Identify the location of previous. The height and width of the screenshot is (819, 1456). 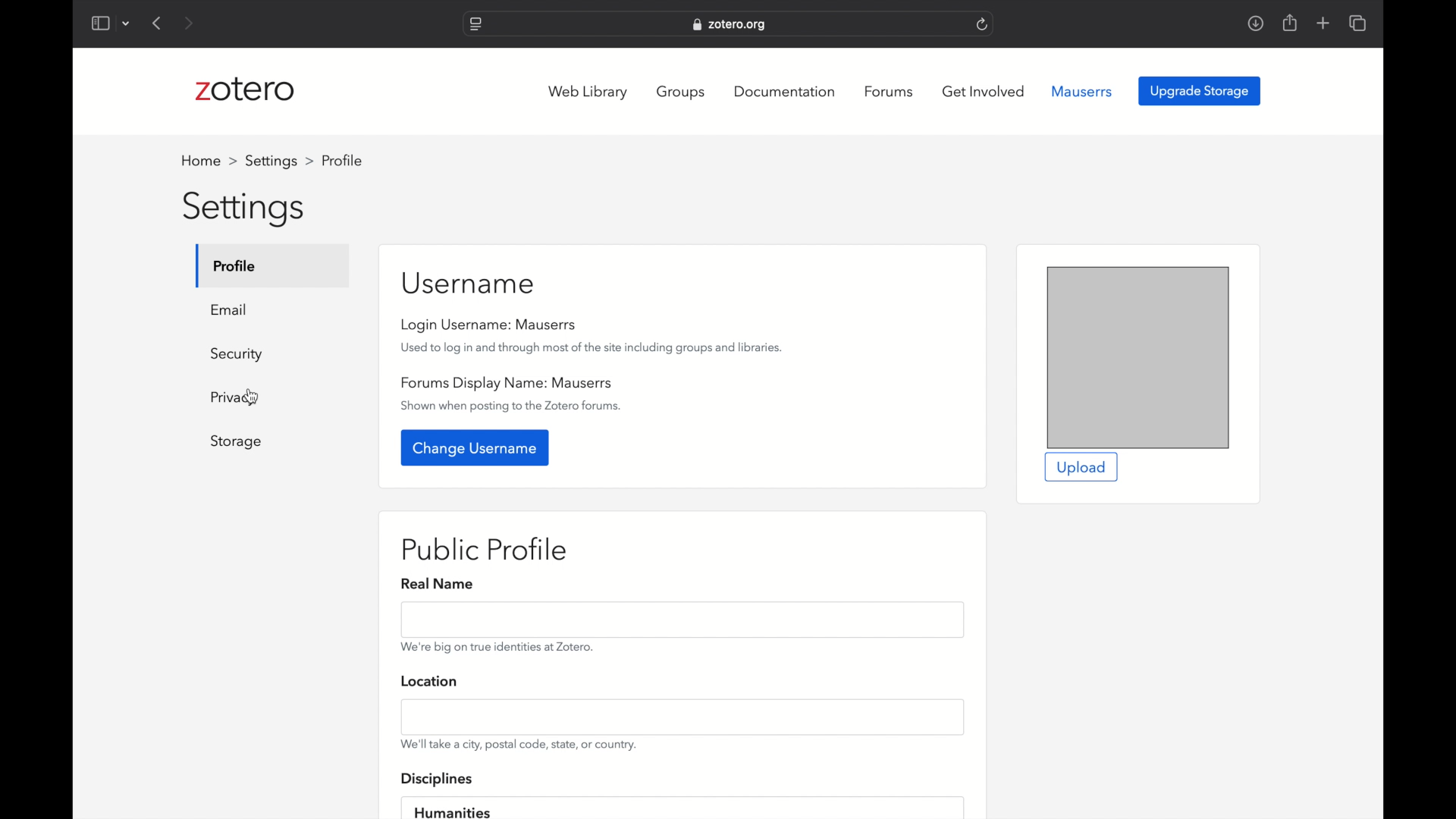
(158, 23).